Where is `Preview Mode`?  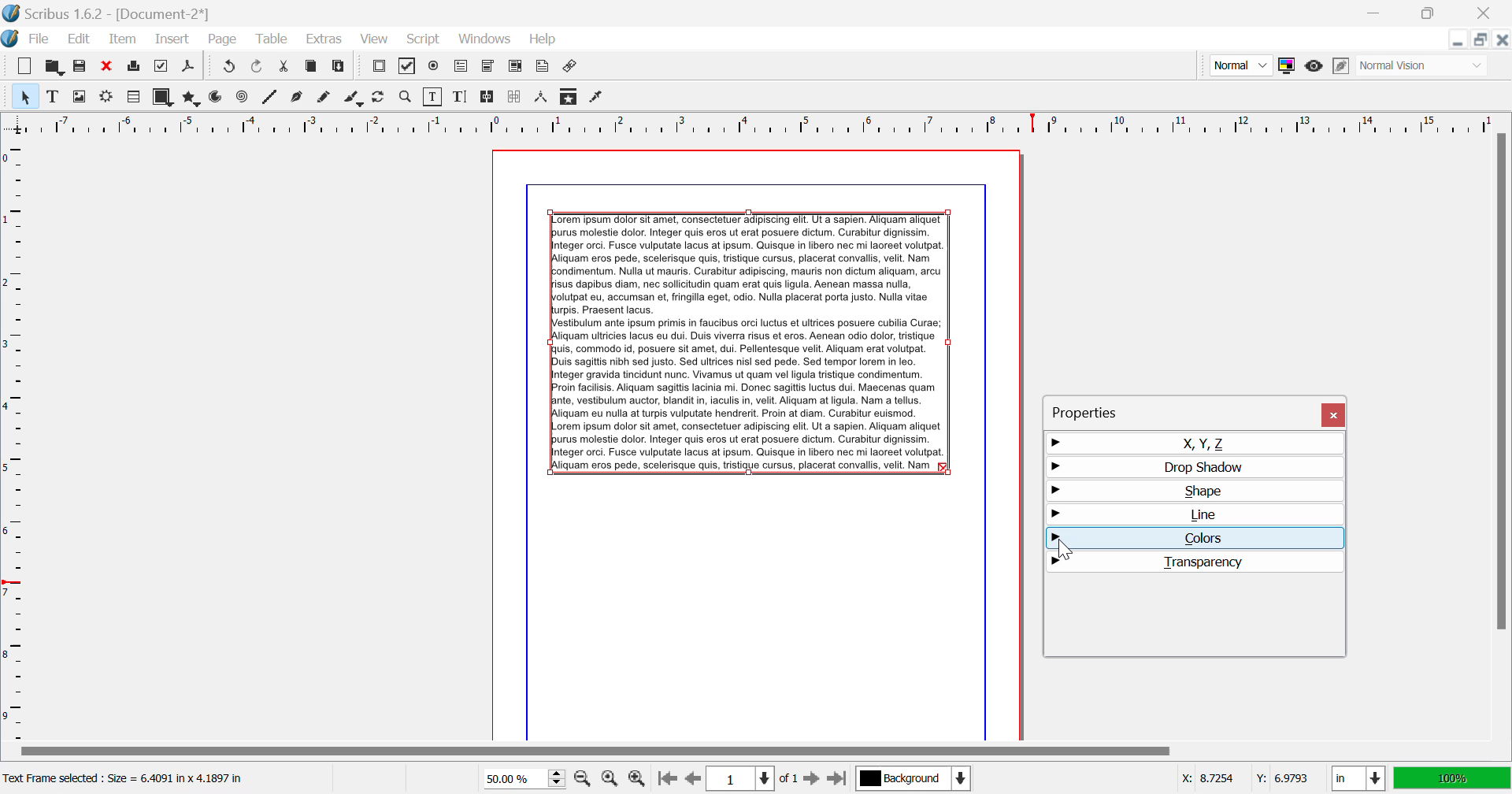
Preview Mode is located at coordinates (1314, 68).